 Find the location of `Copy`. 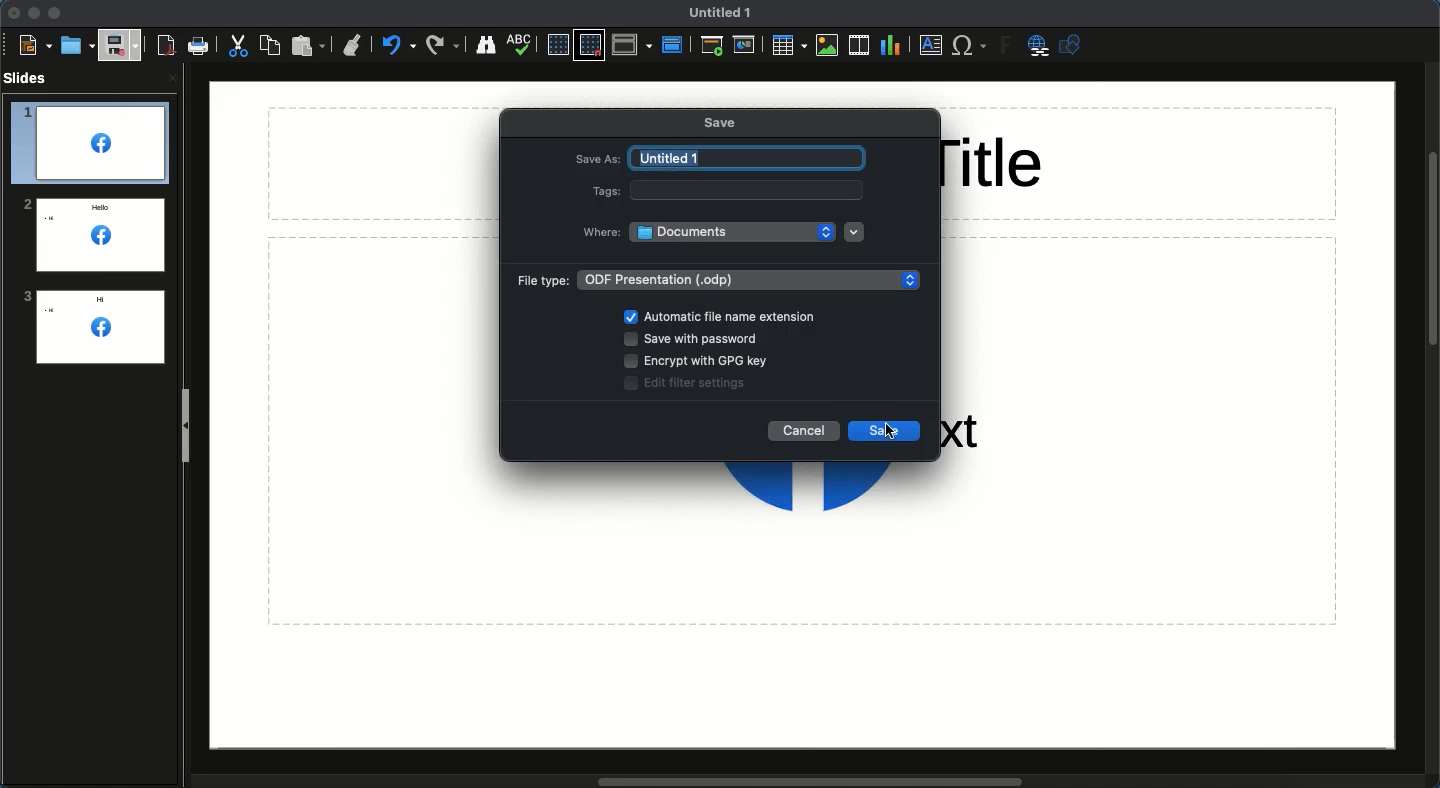

Copy is located at coordinates (269, 45).